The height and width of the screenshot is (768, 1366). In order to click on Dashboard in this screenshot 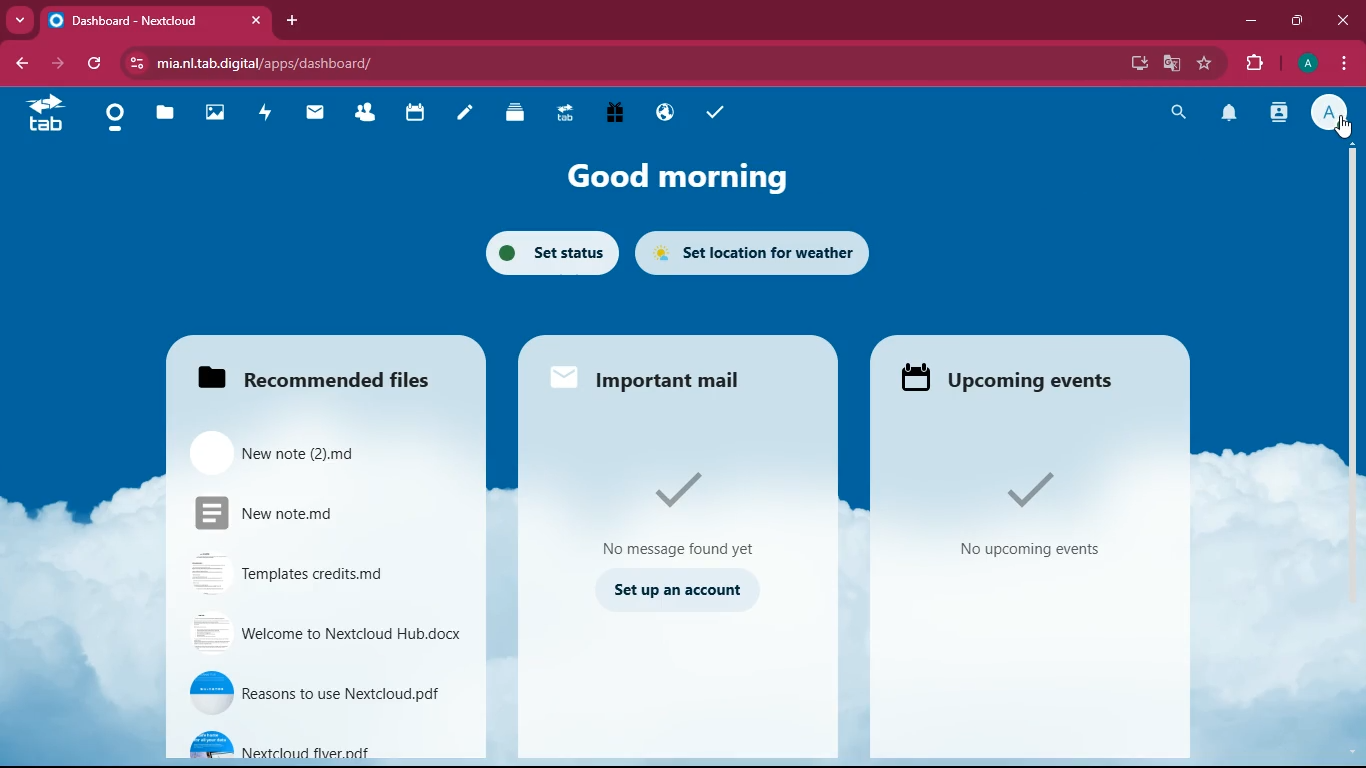, I will do `click(115, 119)`.